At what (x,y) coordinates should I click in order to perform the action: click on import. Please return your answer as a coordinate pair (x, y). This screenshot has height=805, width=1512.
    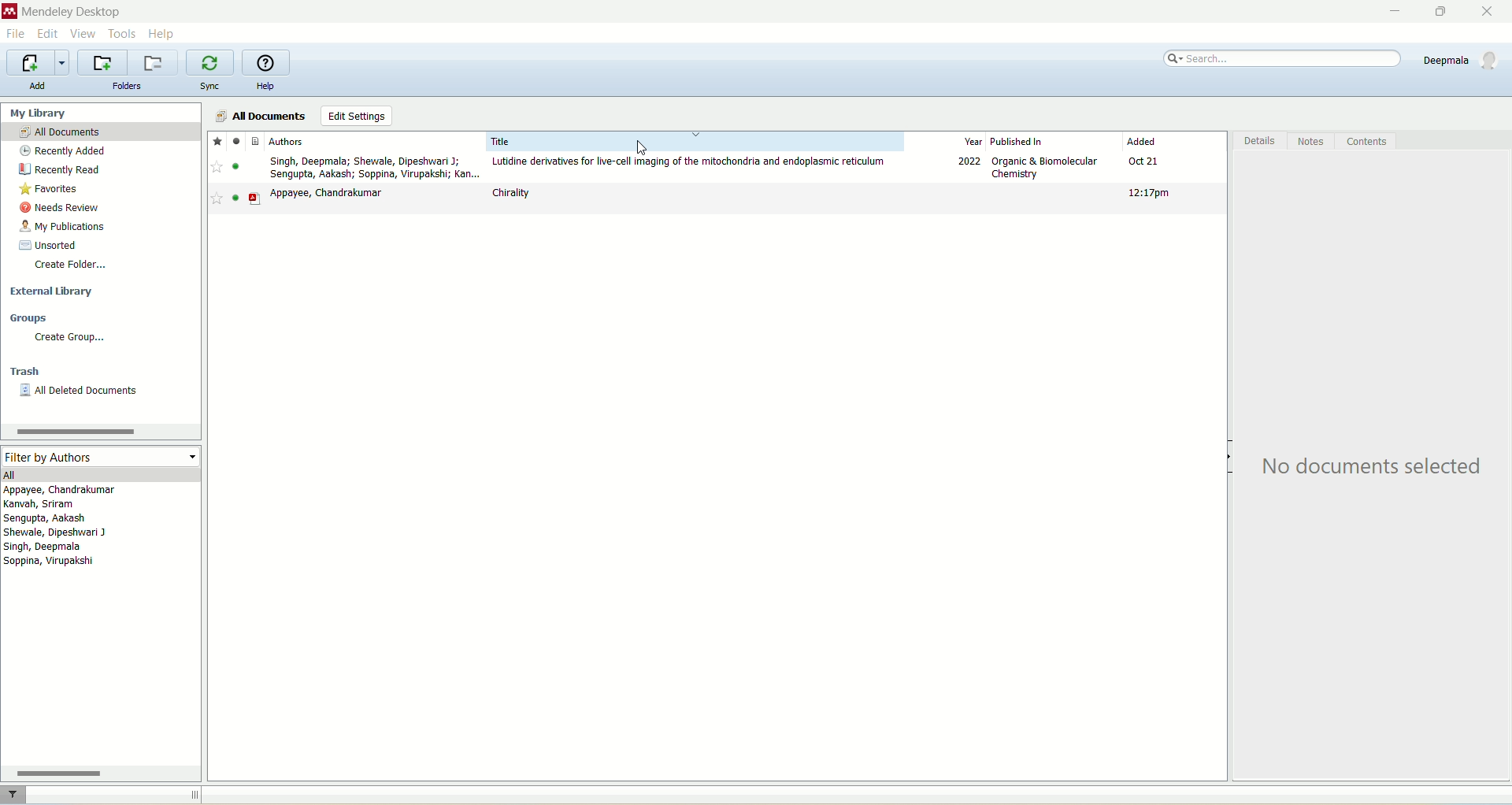
    Looking at the image, I should click on (39, 64).